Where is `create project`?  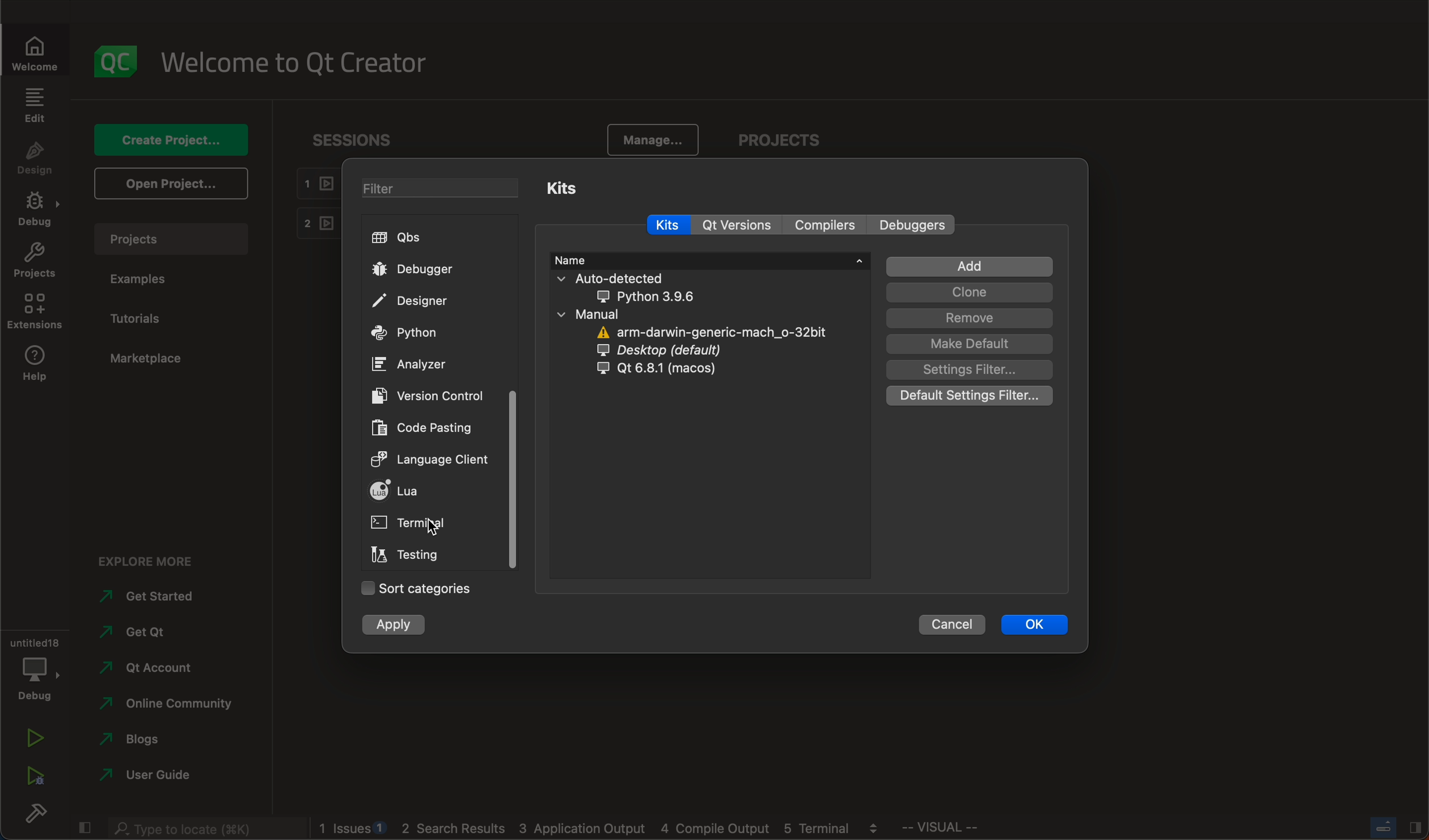 create project is located at coordinates (171, 138).